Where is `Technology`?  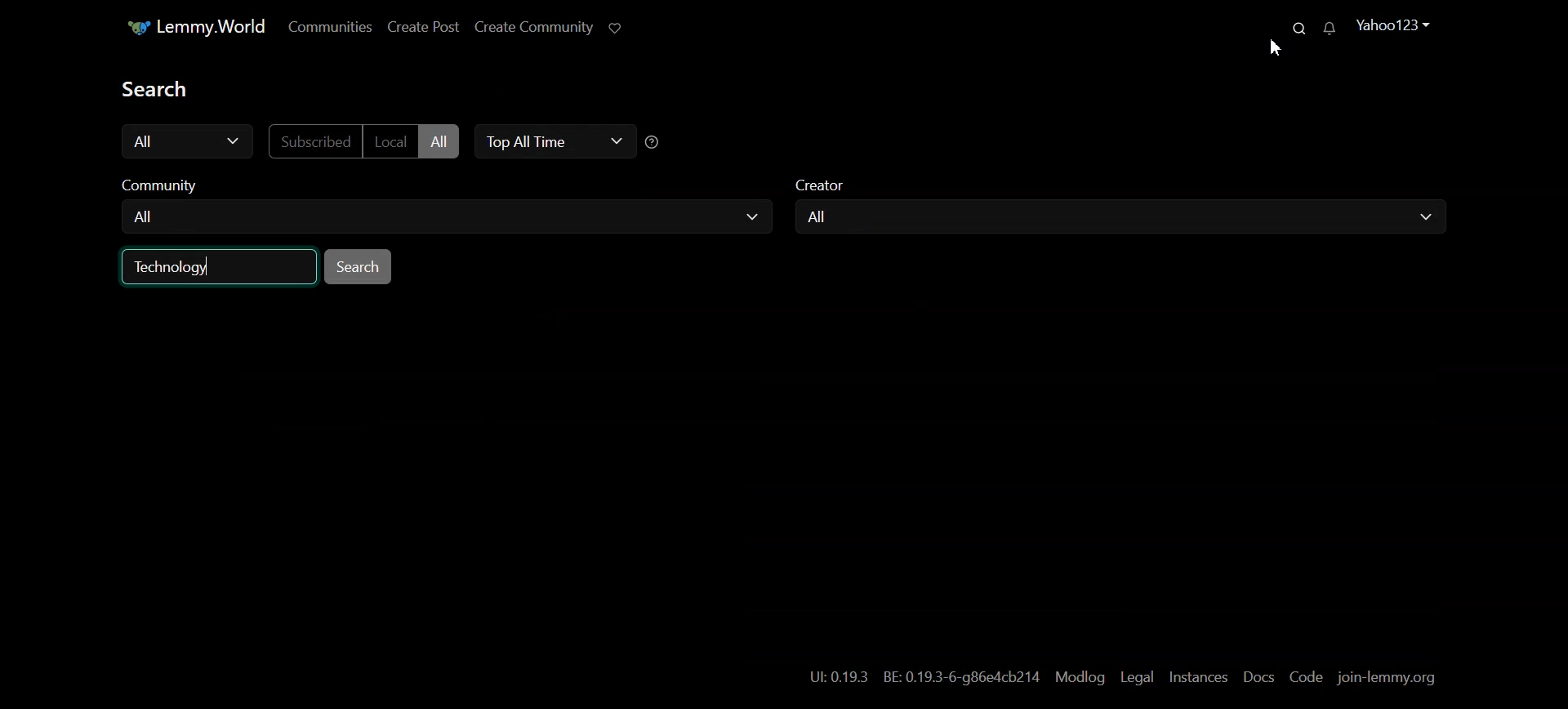 Technology is located at coordinates (216, 269).